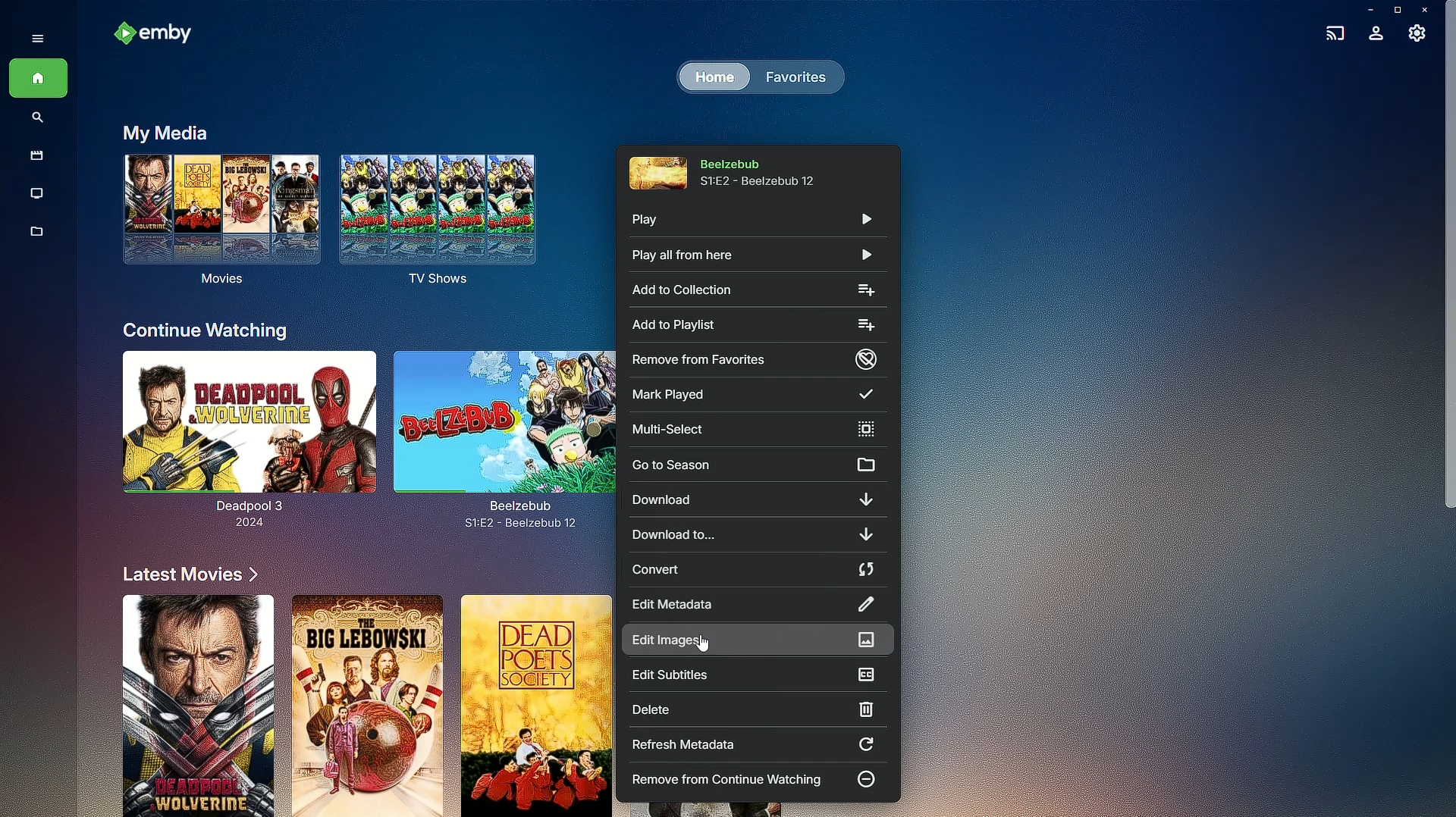  What do you see at coordinates (749, 709) in the screenshot?
I see `Delete` at bounding box center [749, 709].